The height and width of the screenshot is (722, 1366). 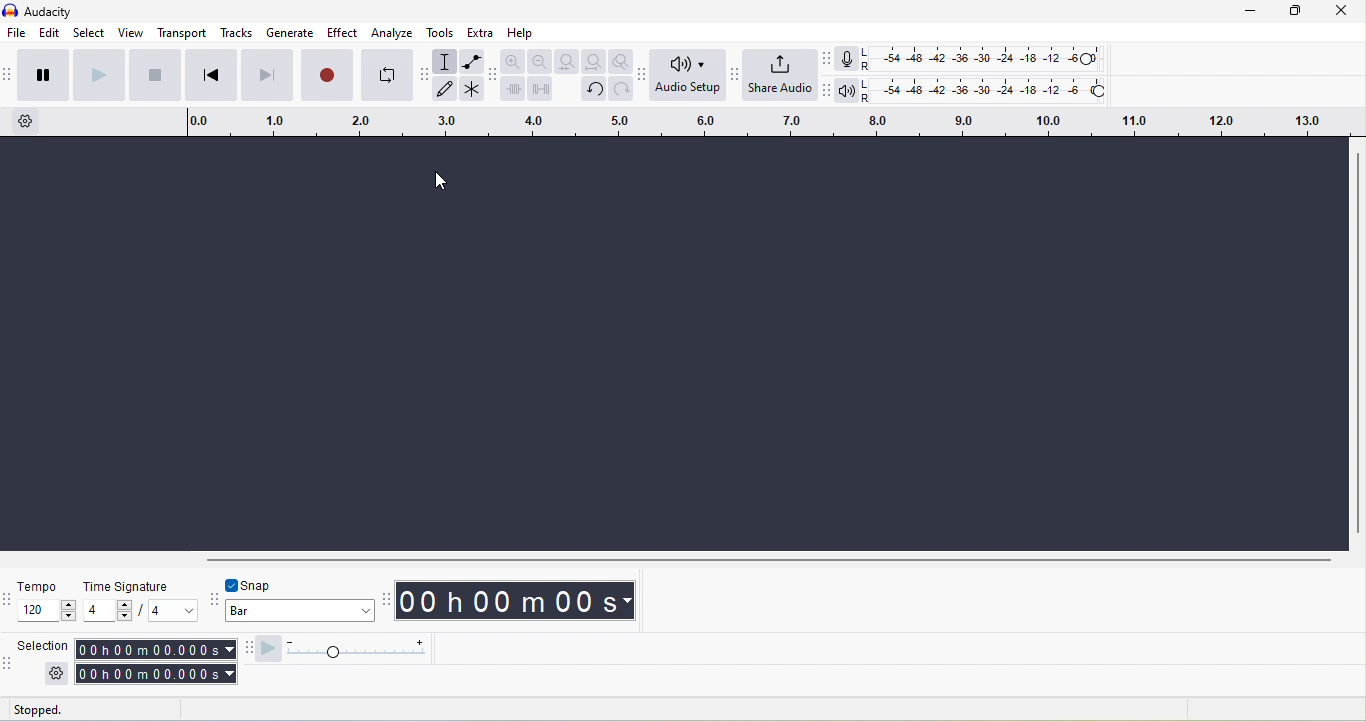 I want to click on select, so click(x=88, y=32).